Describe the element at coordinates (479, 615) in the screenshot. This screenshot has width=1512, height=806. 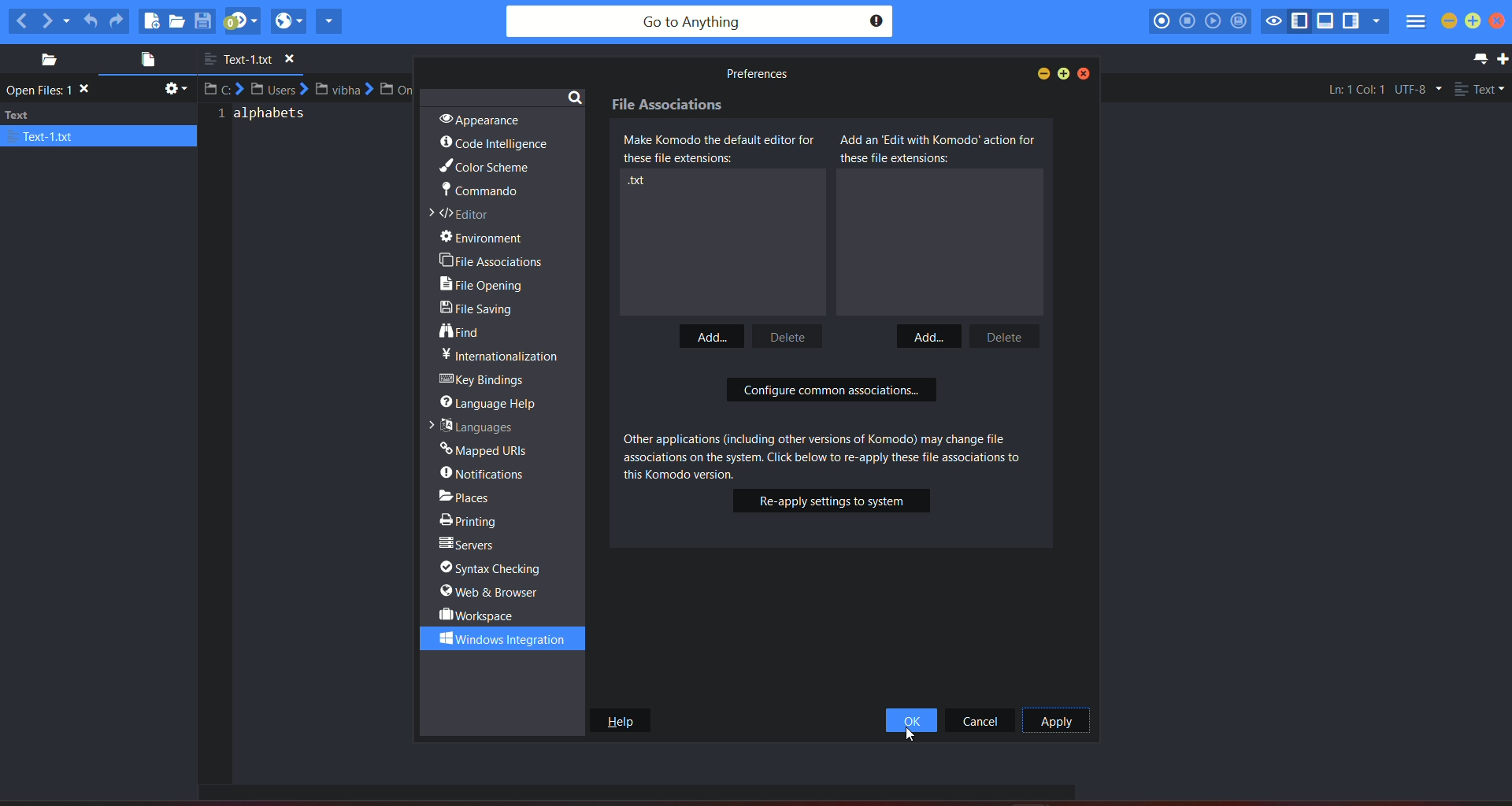
I see `workspace` at that location.